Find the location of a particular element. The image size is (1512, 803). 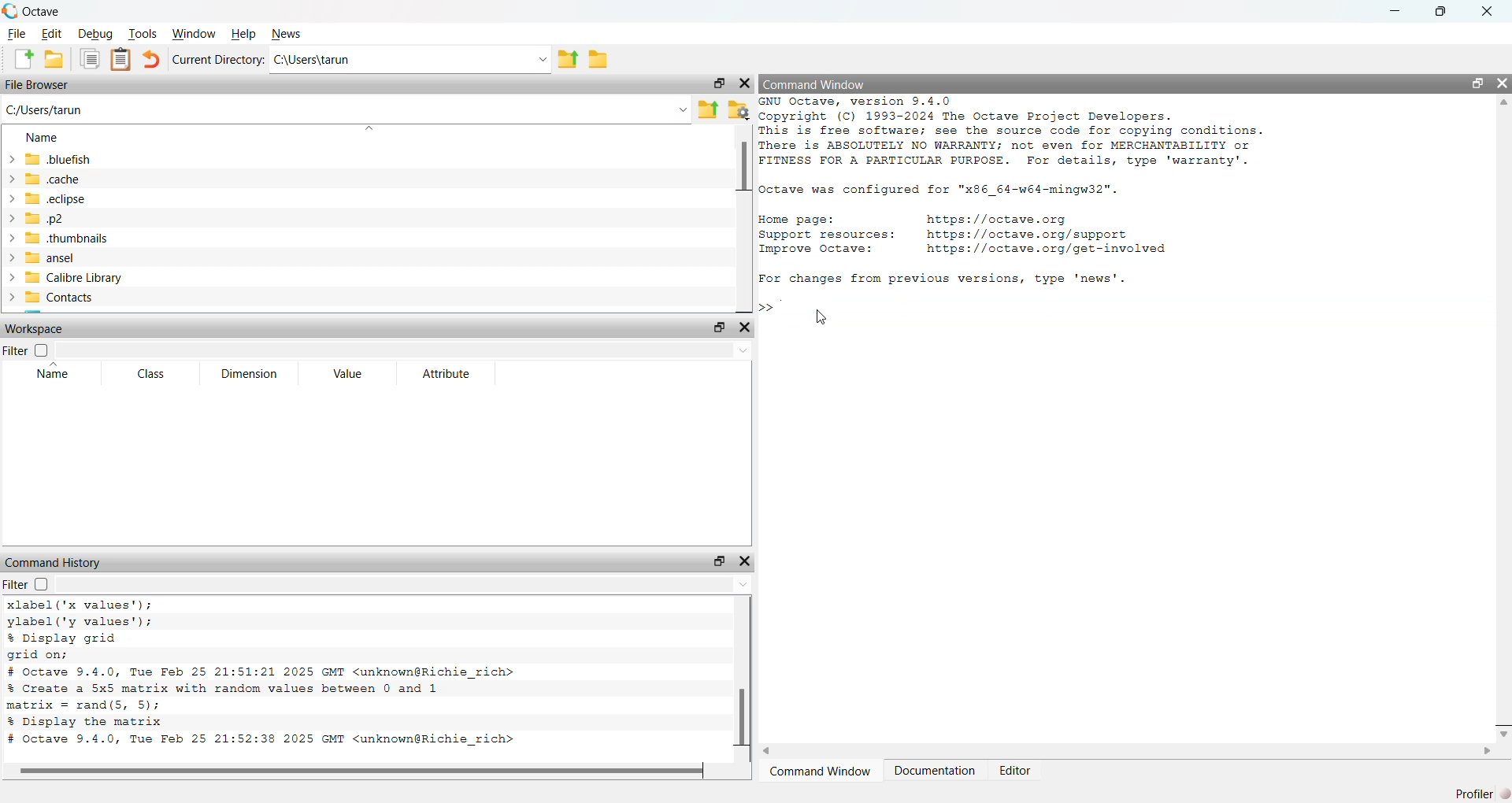

close is located at coordinates (1492, 12).